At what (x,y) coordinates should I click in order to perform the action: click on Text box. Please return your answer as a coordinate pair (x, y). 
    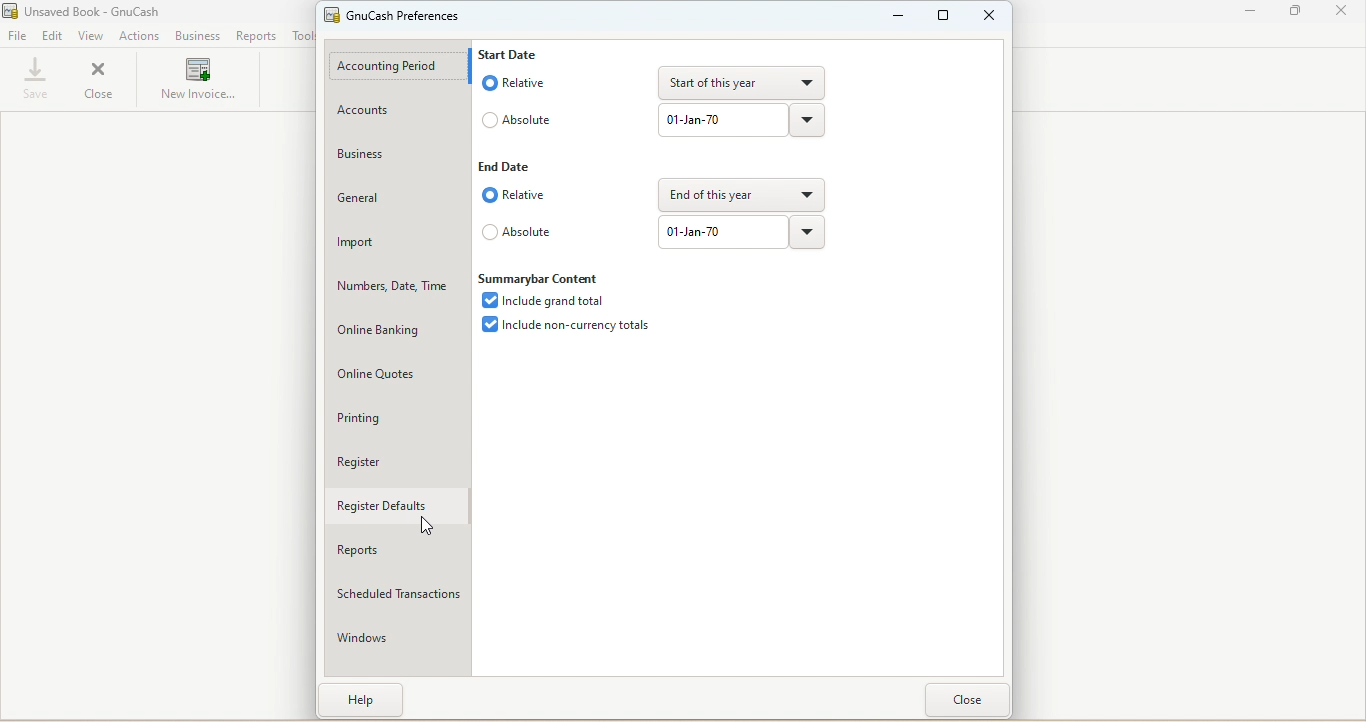
    Looking at the image, I should click on (719, 233).